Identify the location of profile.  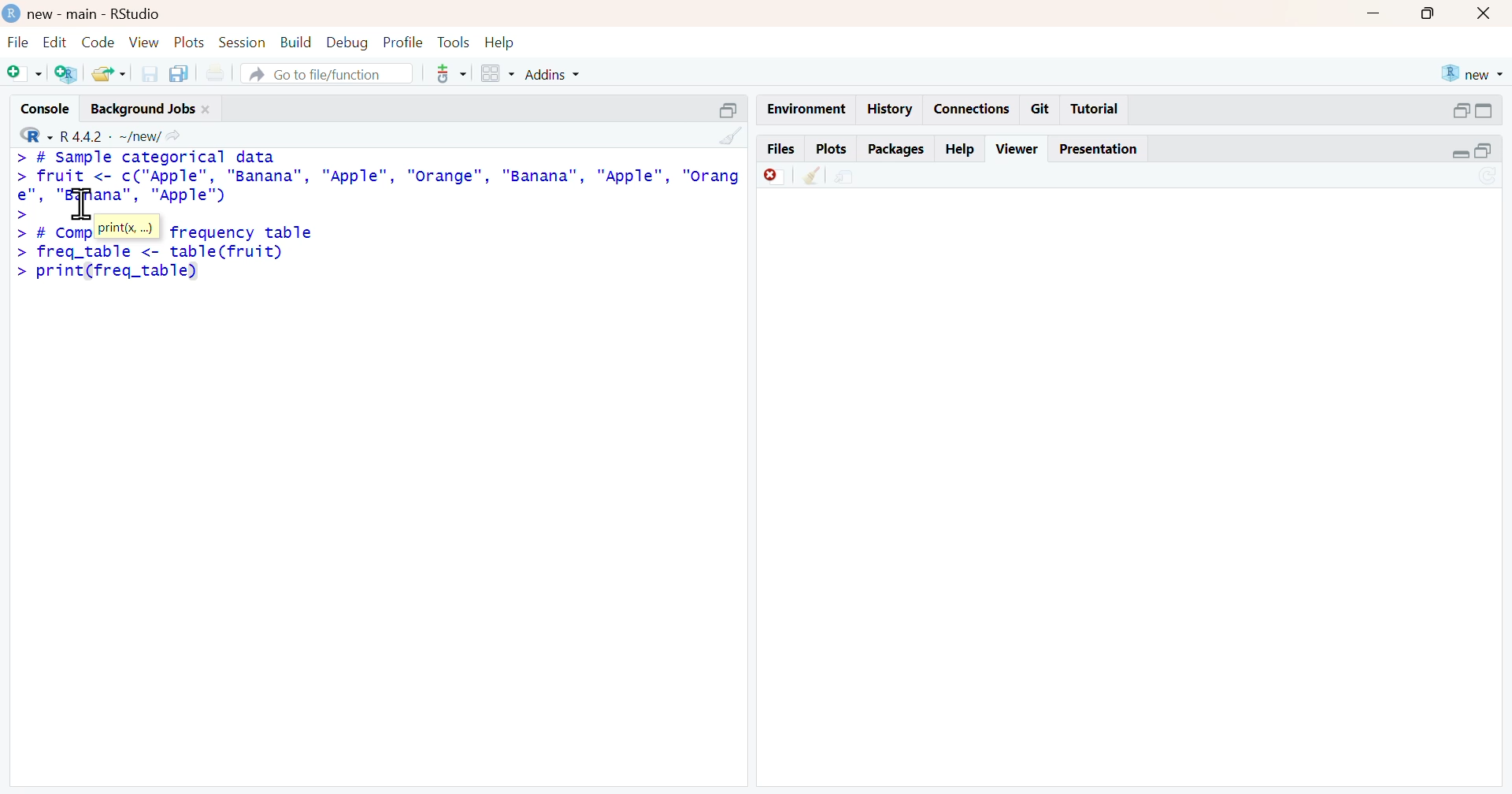
(402, 42).